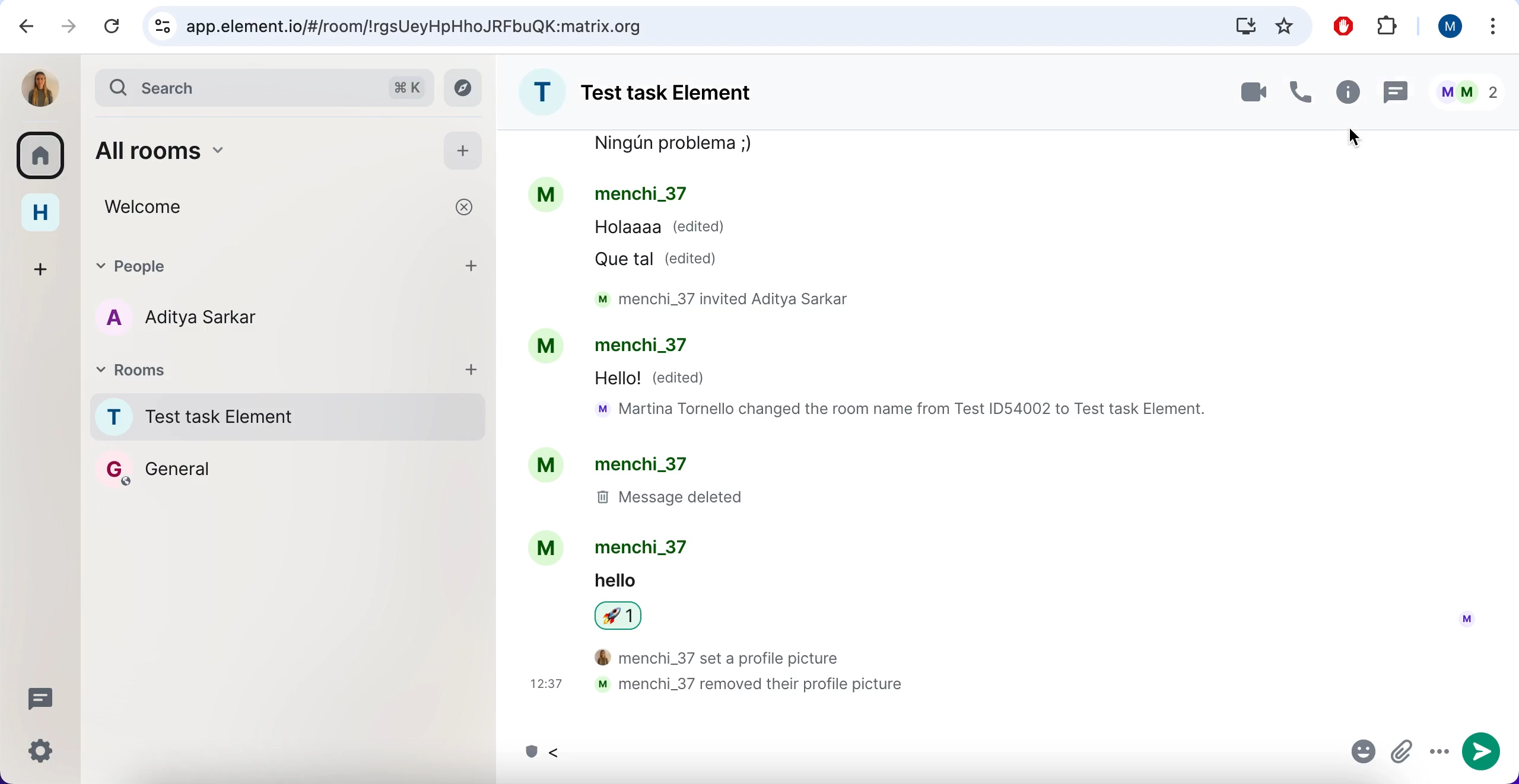  I want to click on options, so click(1438, 755).